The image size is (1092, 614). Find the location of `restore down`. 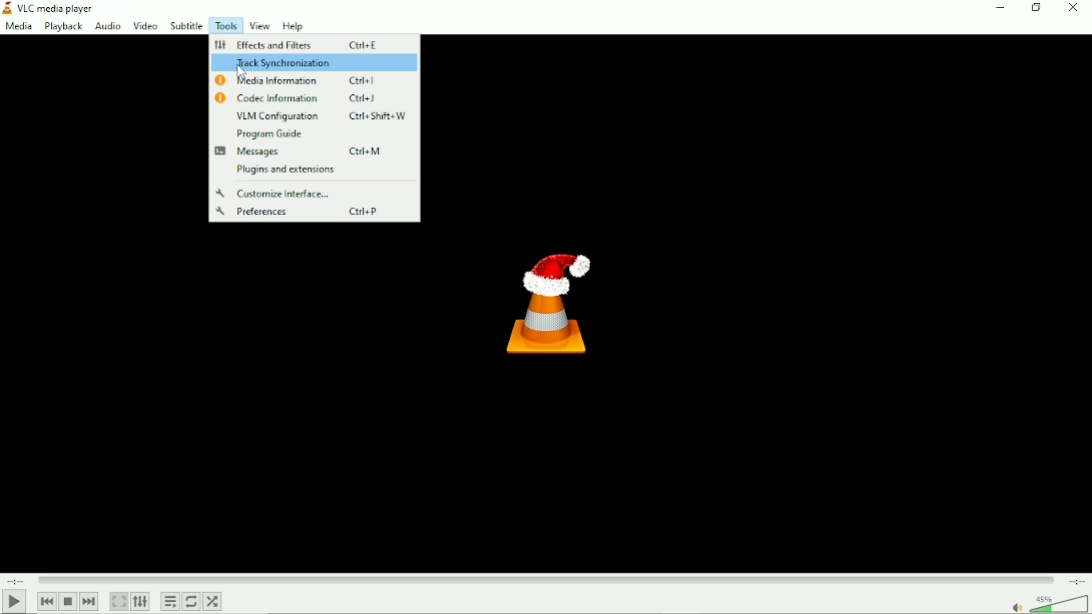

restore down is located at coordinates (1036, 7).